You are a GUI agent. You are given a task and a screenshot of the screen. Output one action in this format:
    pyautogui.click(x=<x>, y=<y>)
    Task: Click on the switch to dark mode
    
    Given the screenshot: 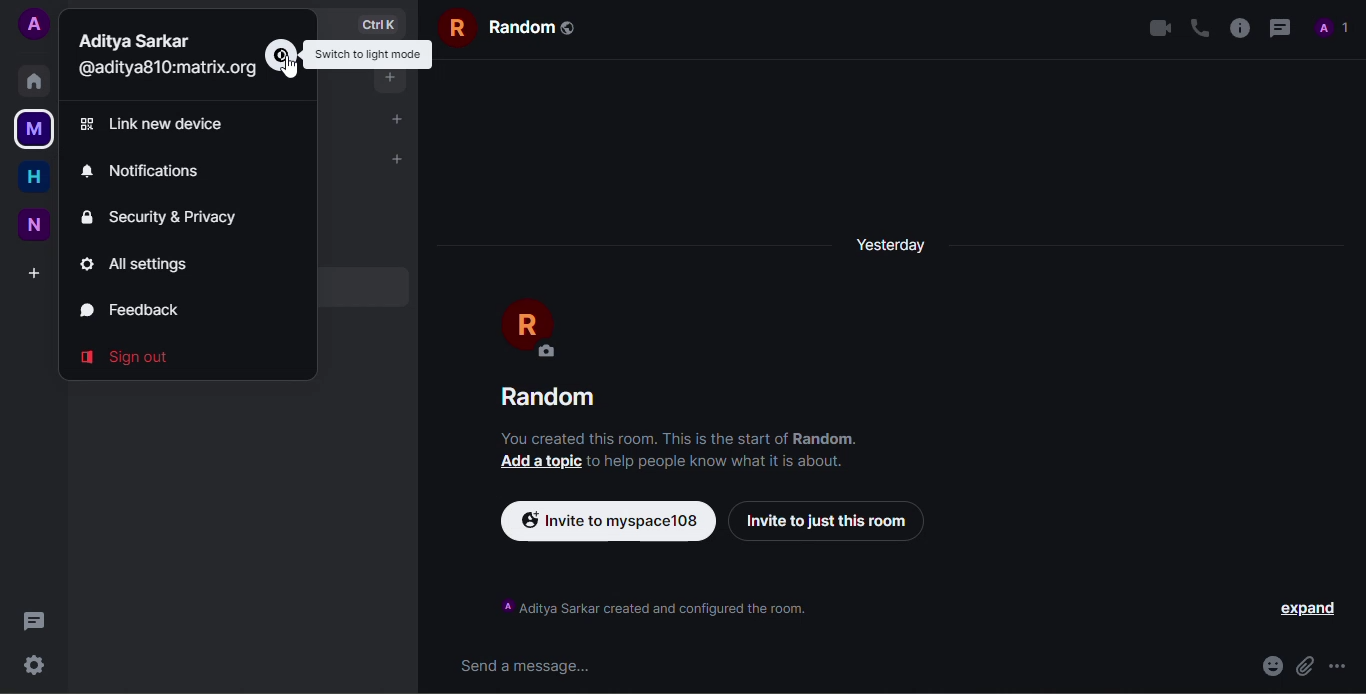 What is the action you would take?
    pyautogui.click(x=282, y=56)
    